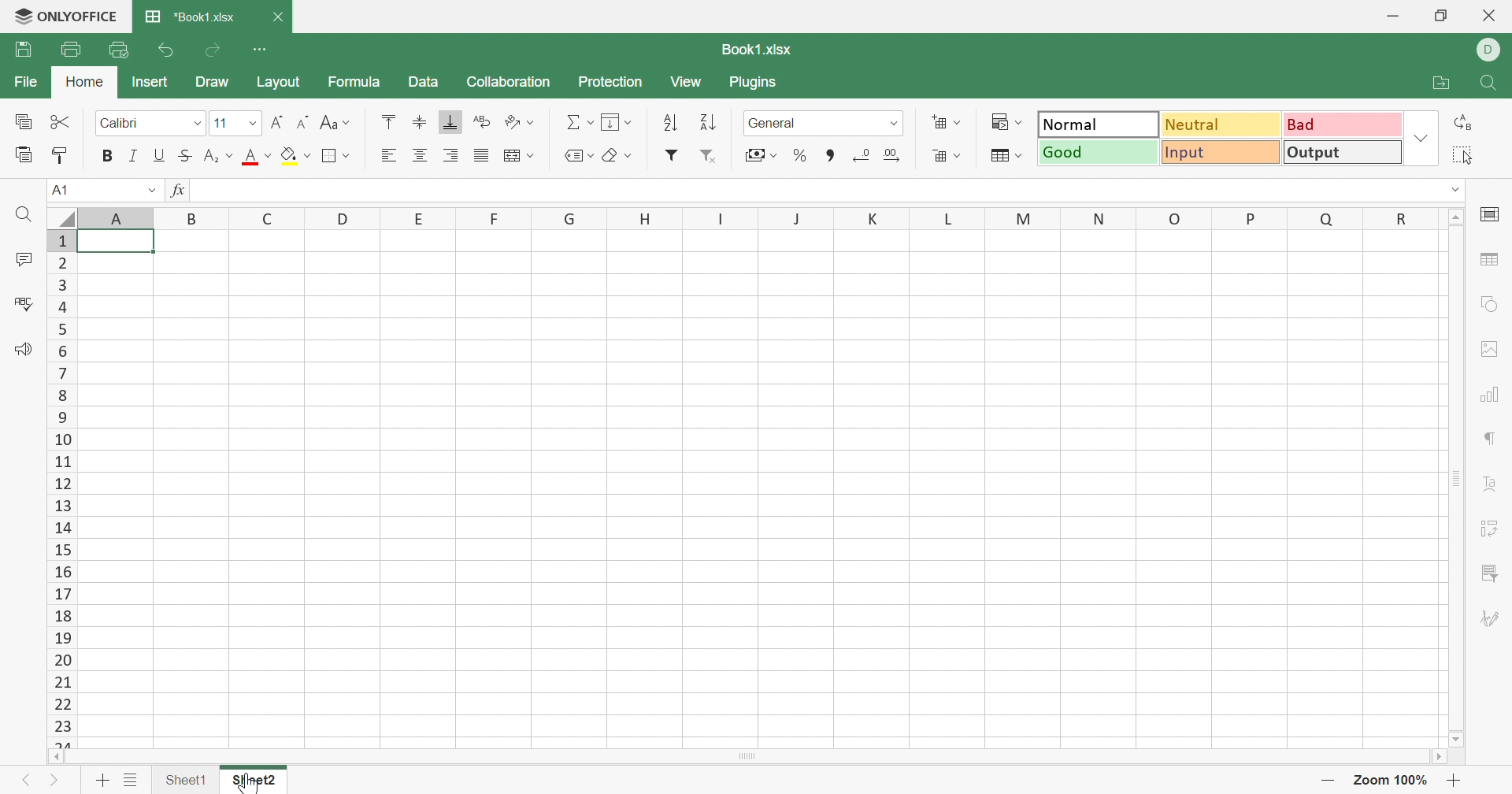 This screenshot has height=794, width=1512. I want to click on Text Art settings, so click(1491, 479).